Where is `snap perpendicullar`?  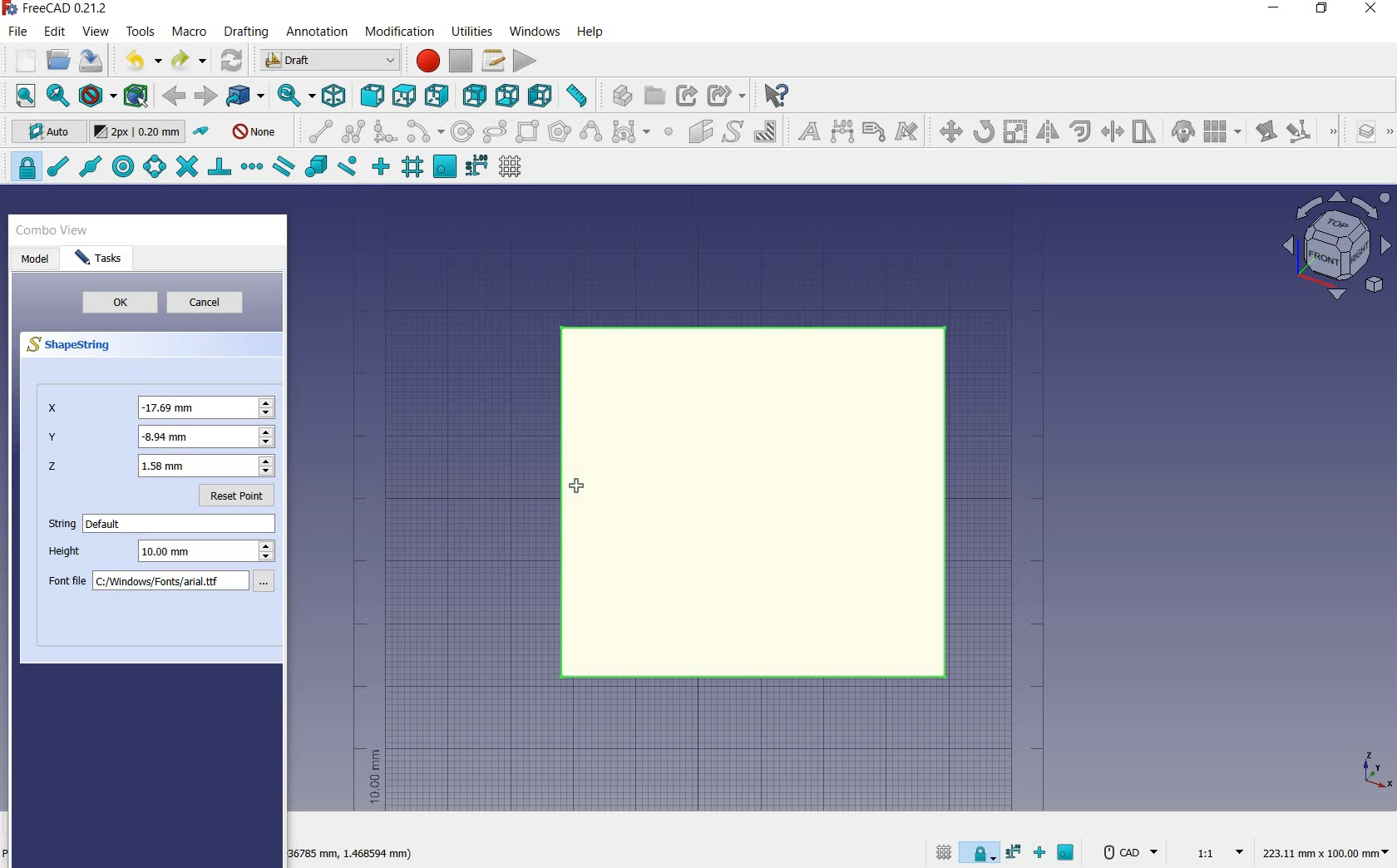 snap perpendicullar is located at coordinates (219, 166).